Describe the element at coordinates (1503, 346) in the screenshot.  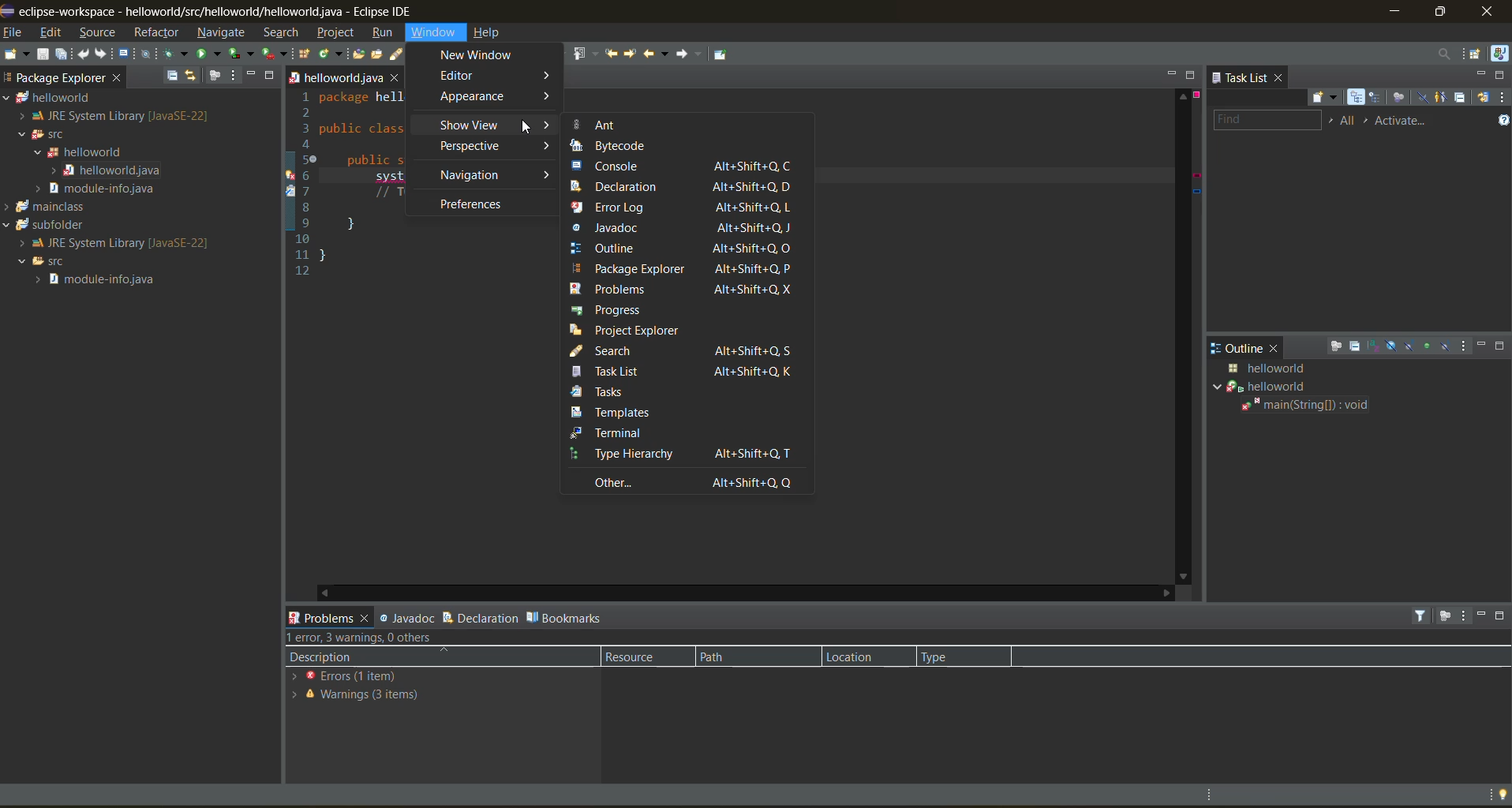
I see `maximize` at that location.